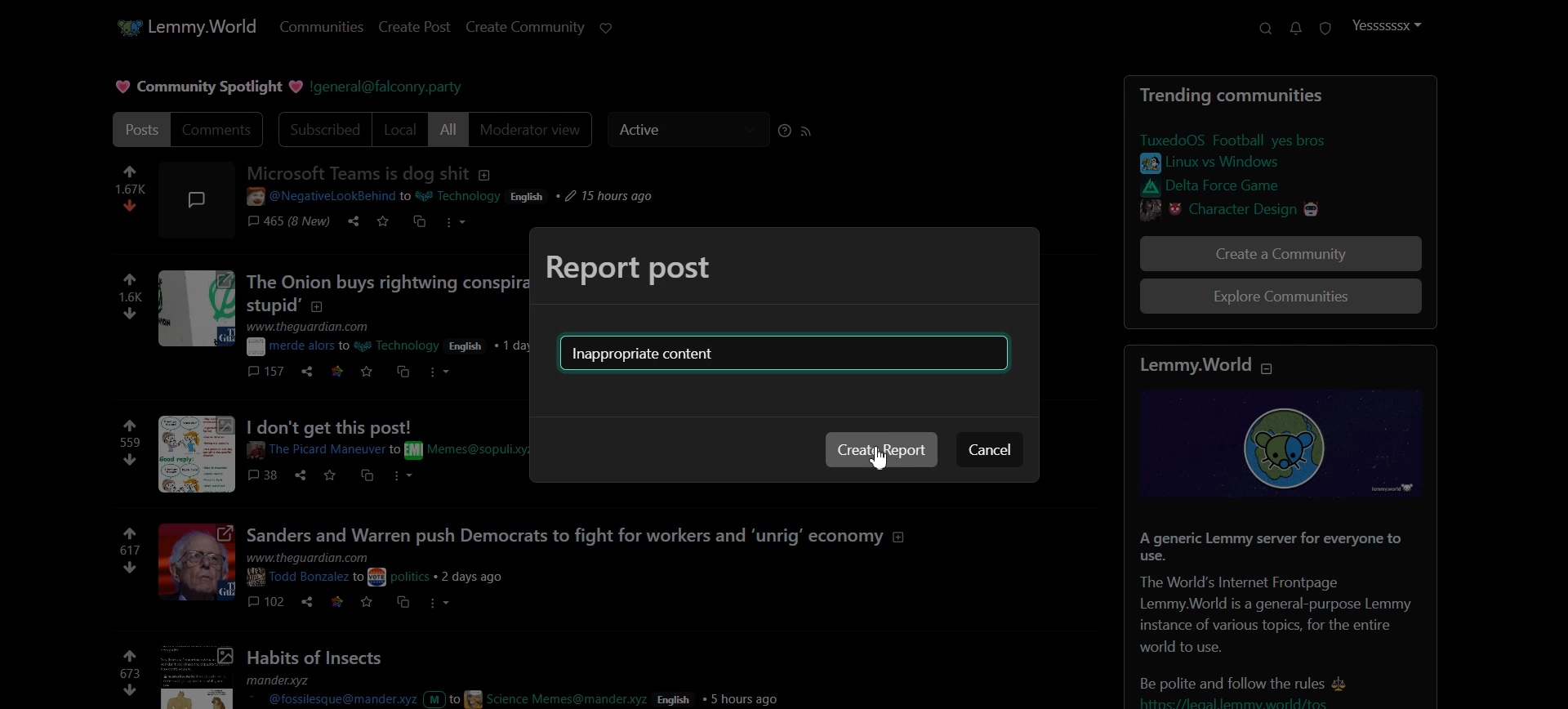 This screenshot has width=1568, height=709. What do you see at coordinates (131, 170) in the screenshot?
I see `like` at bounding box center [131, 170].